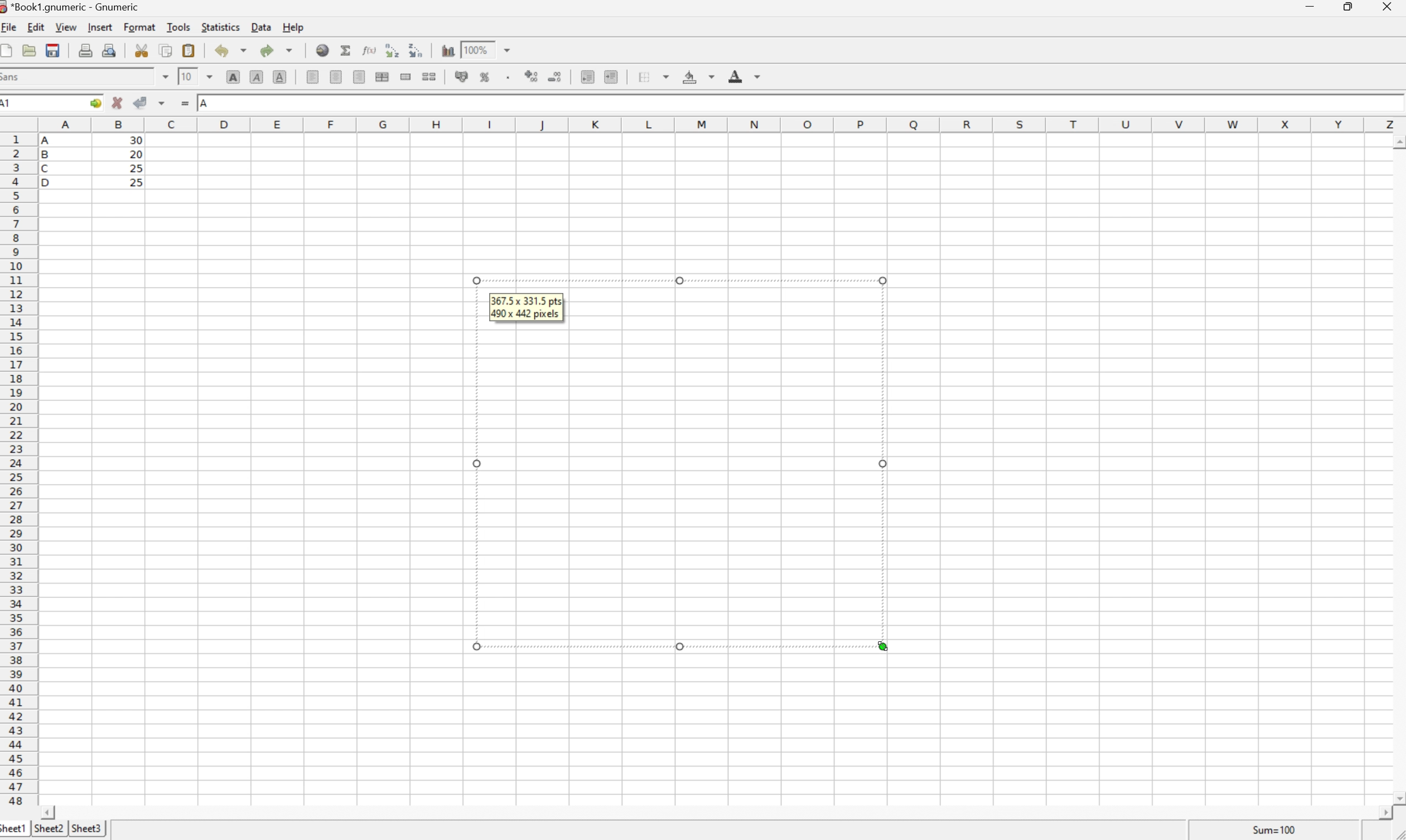 The width and height of the screenshot is (1406, 840). What do you see at coordinates (721, 123) in the screenshot?
I see `Column names` at bounding box center [721, 123].